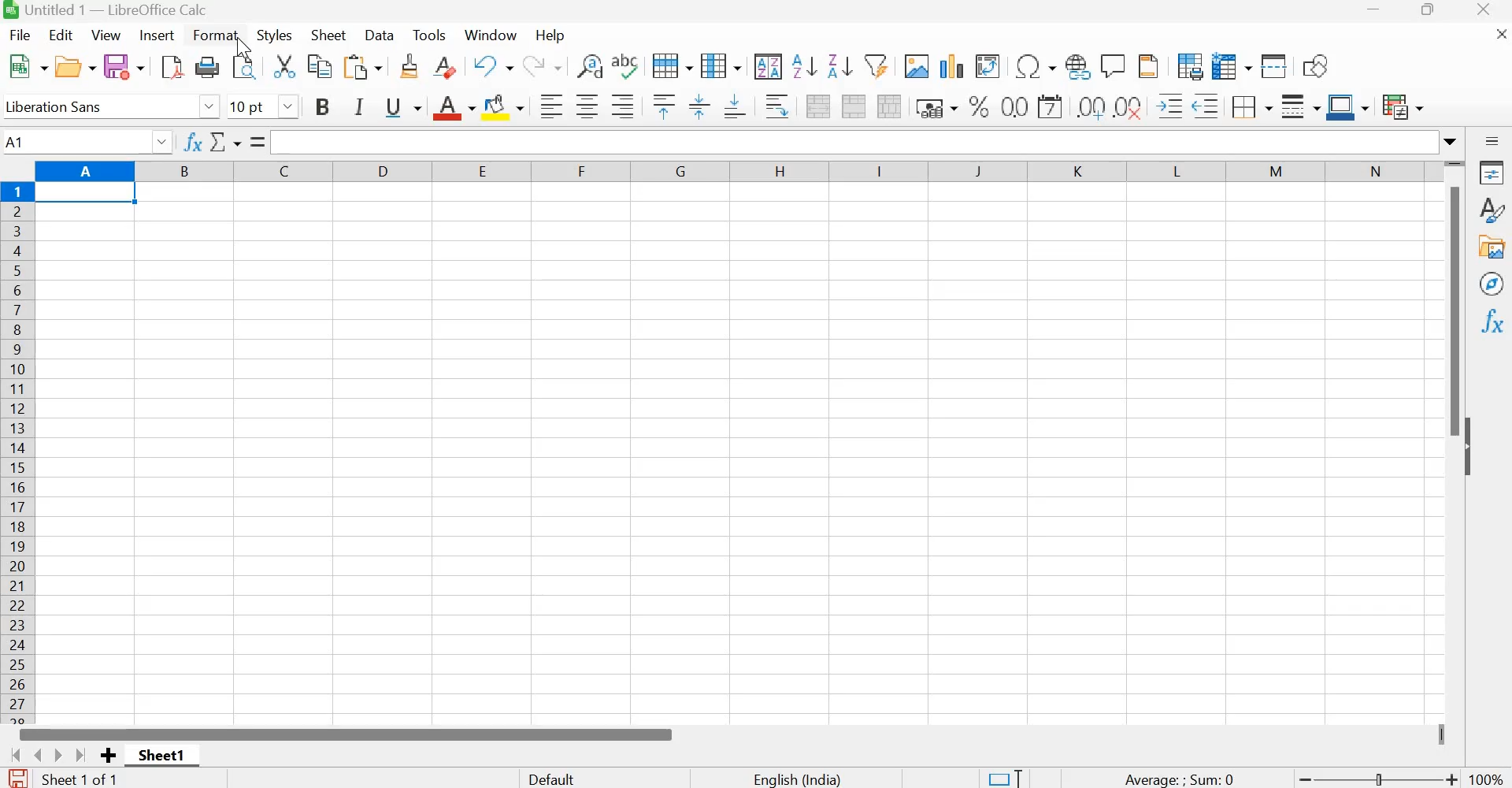  I want to click on Scrollbar, so click(1450, 314).